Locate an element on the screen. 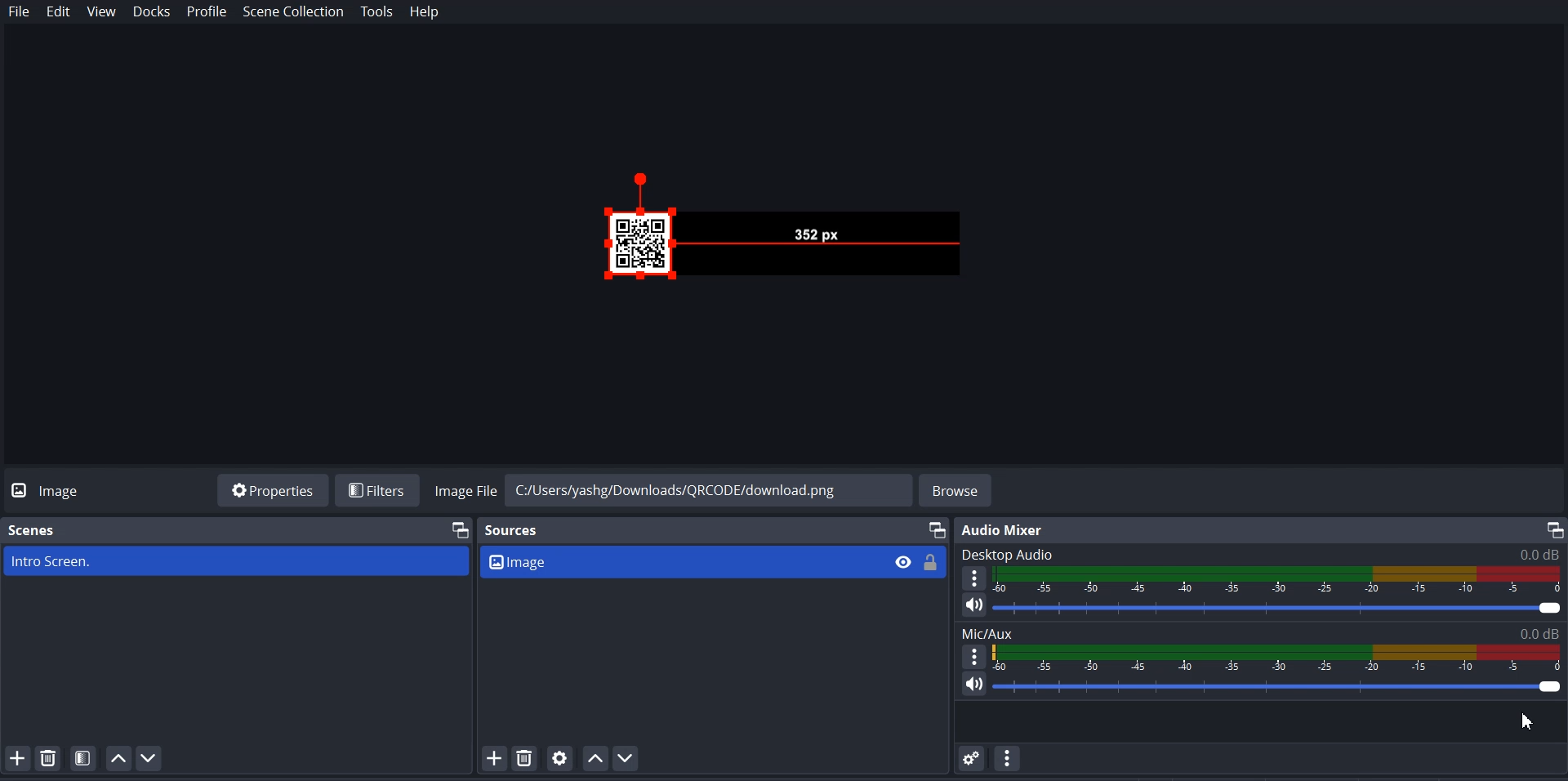 The width and height of the screenshot is (1568, 781). Profile is located at coordinates (207, 12).